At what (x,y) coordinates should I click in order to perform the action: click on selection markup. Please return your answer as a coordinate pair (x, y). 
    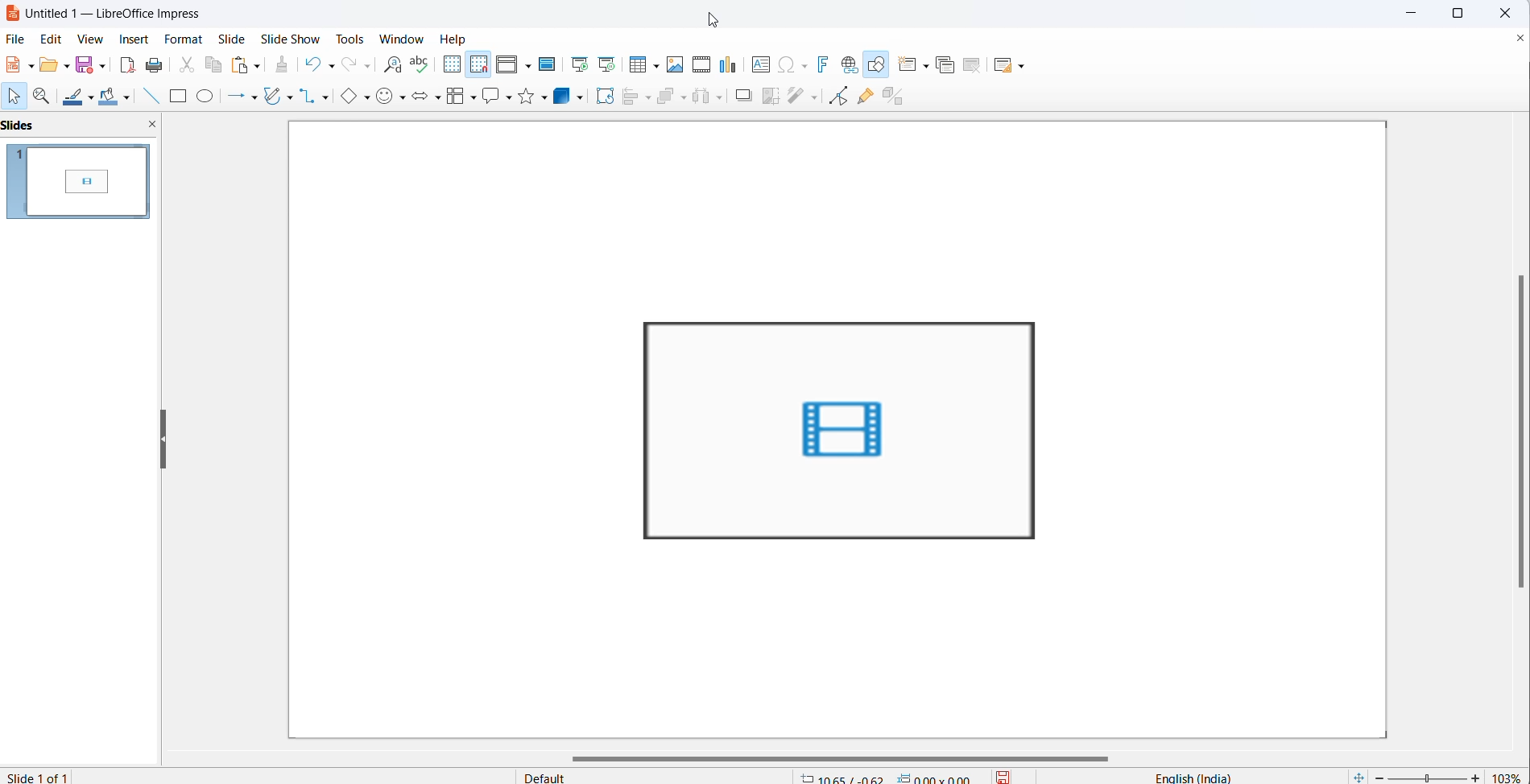
    Looking at the image, I should click on (1049, 430).